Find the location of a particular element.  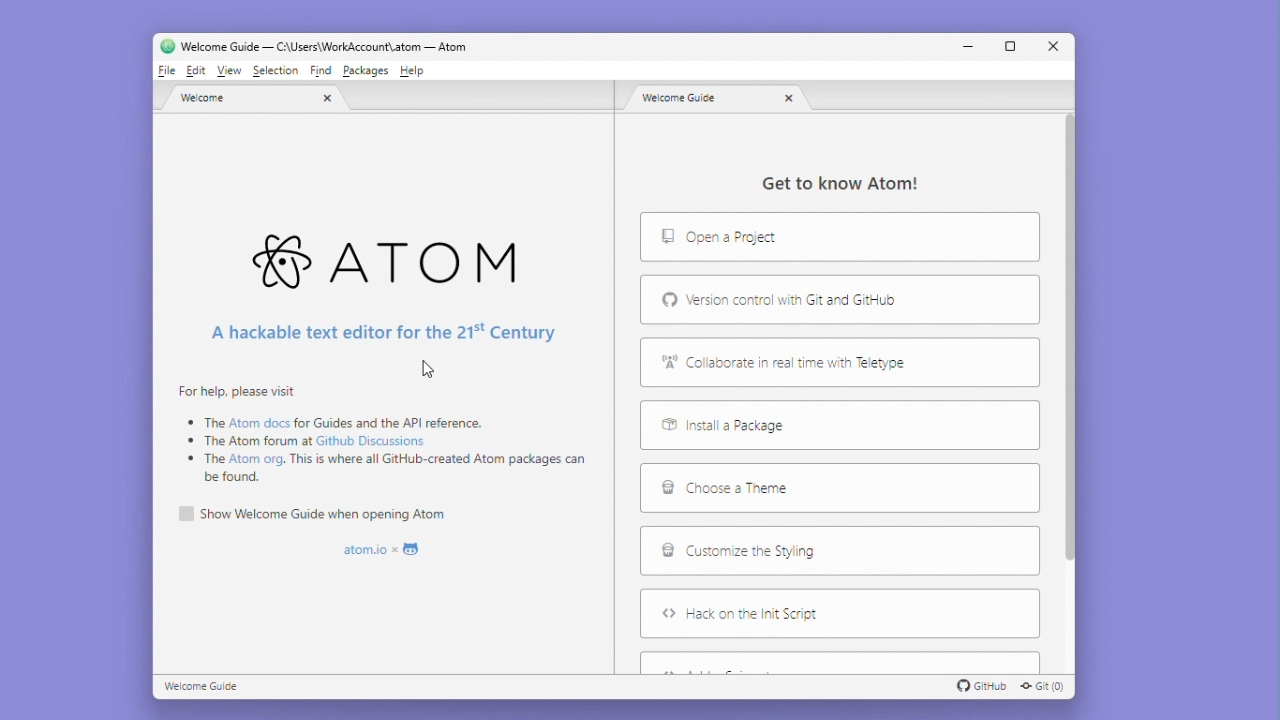

Customise the styling is located at coordinates (758, 552).